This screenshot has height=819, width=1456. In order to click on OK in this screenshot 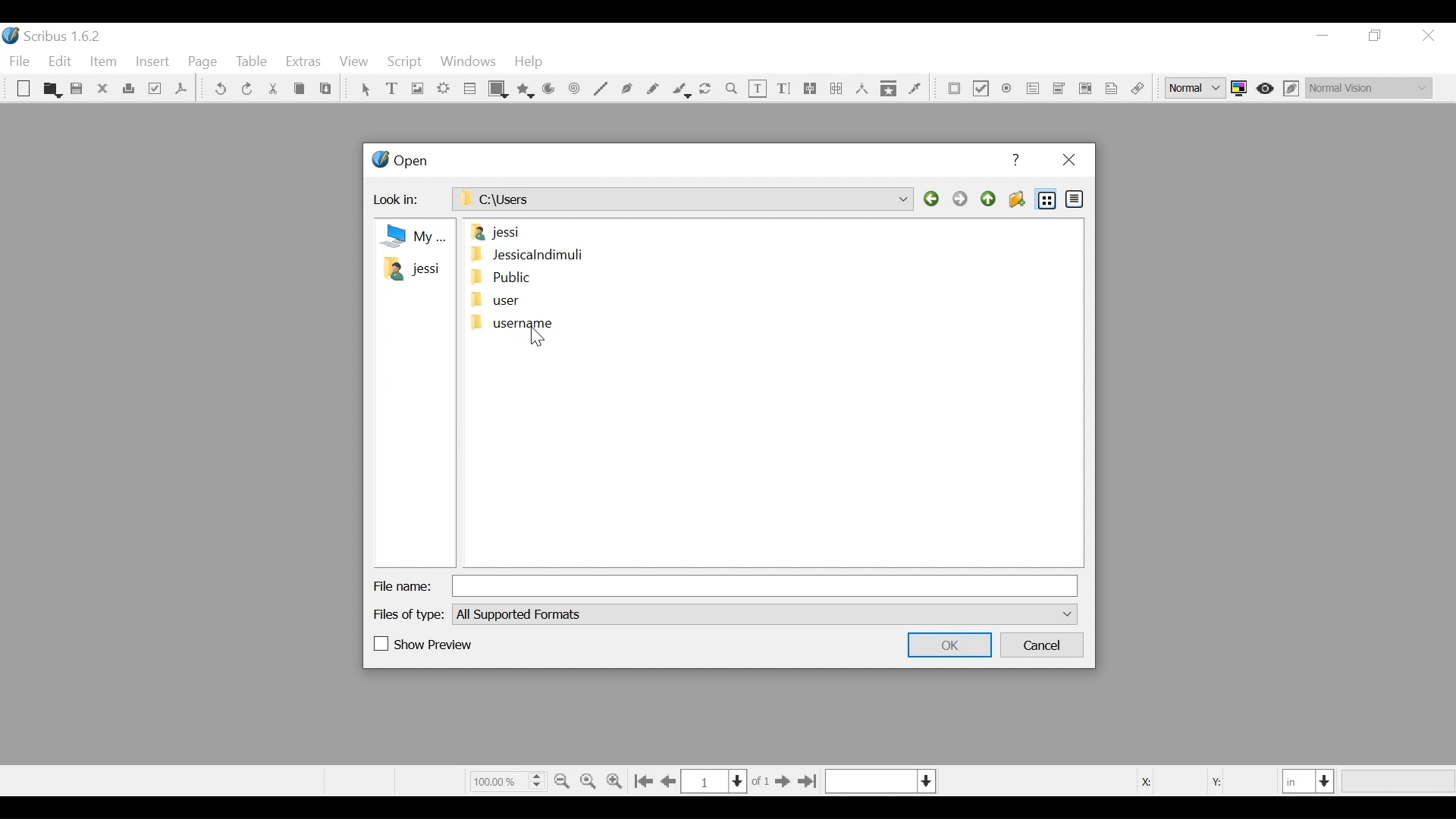, I will do `click(947, 645)`.